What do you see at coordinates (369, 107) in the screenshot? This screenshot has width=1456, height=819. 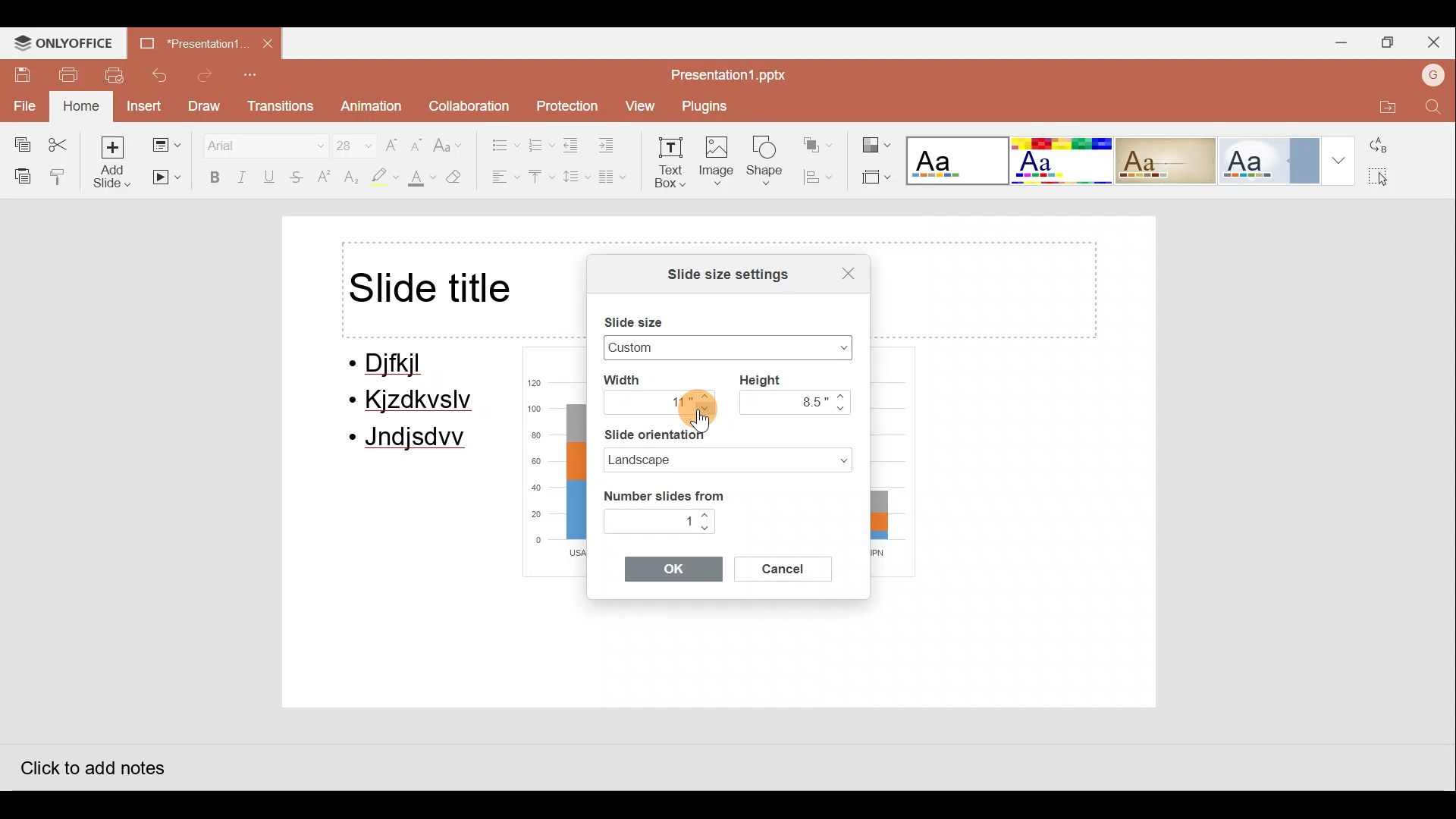 I see `Animation` at bounding box center [369, 107].